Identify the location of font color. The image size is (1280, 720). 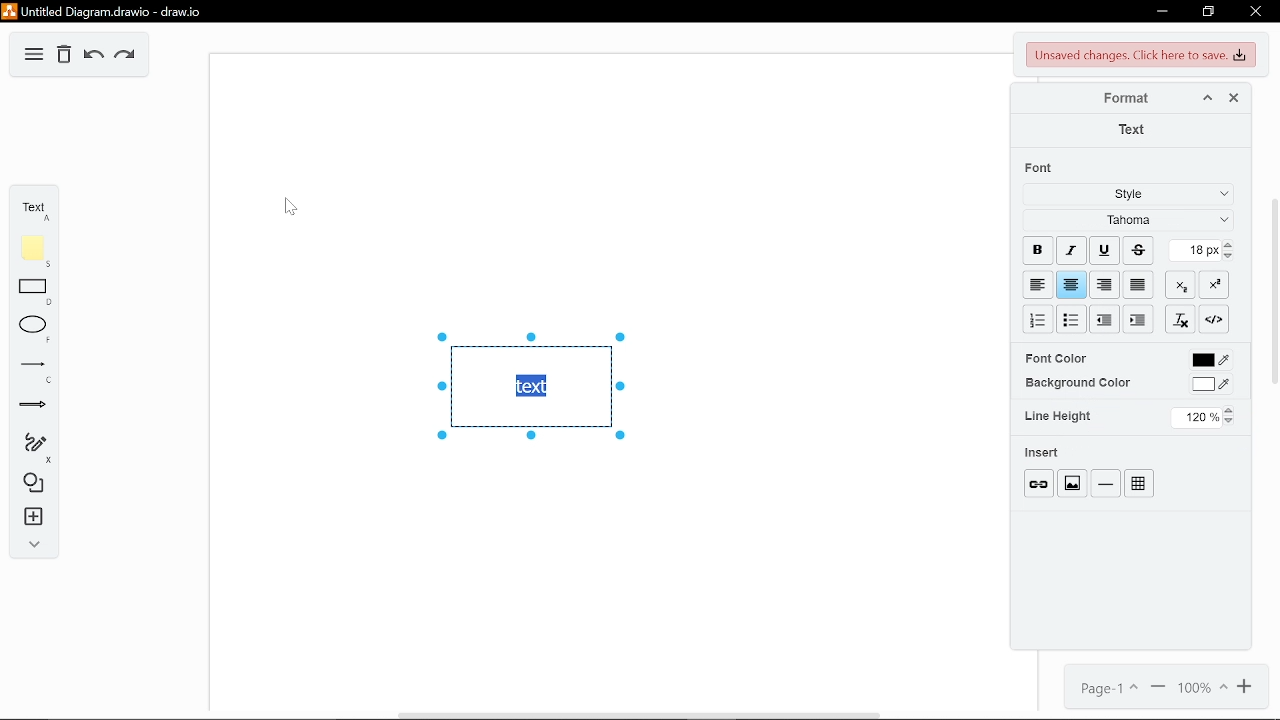
(1210, 362).